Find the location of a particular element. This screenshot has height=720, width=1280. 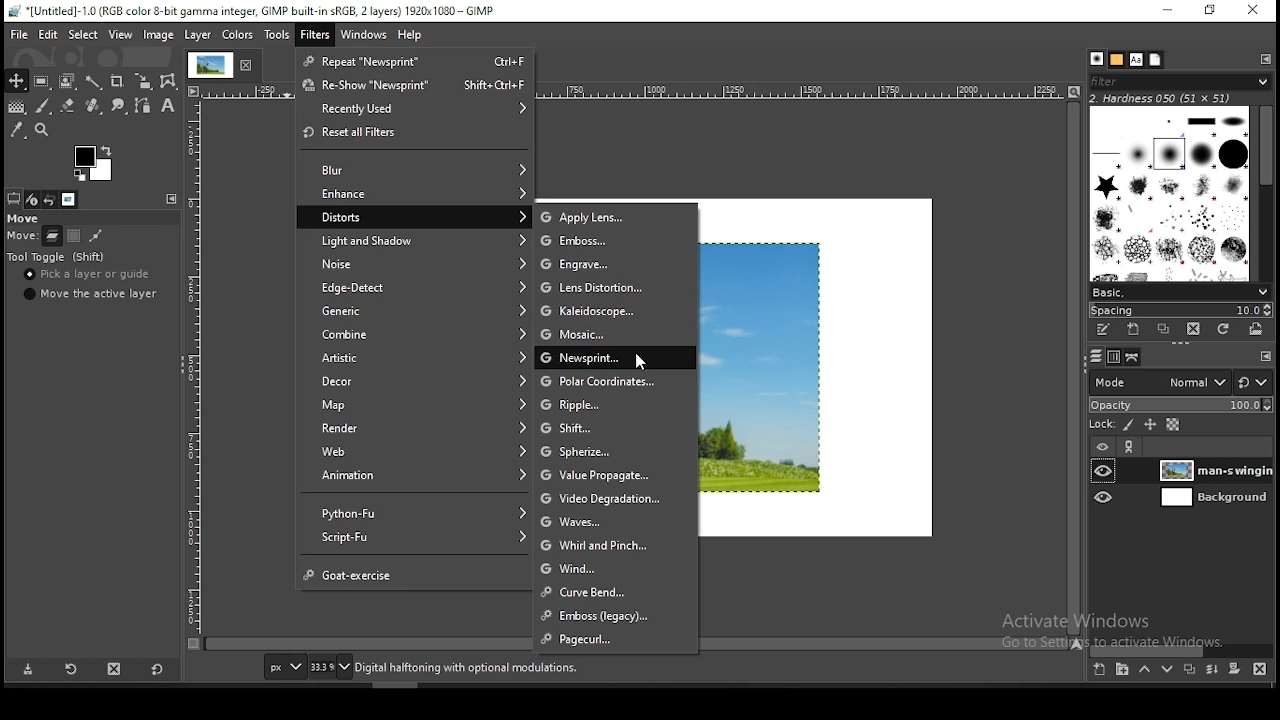

brushes is located at coordinates (1096, 58).